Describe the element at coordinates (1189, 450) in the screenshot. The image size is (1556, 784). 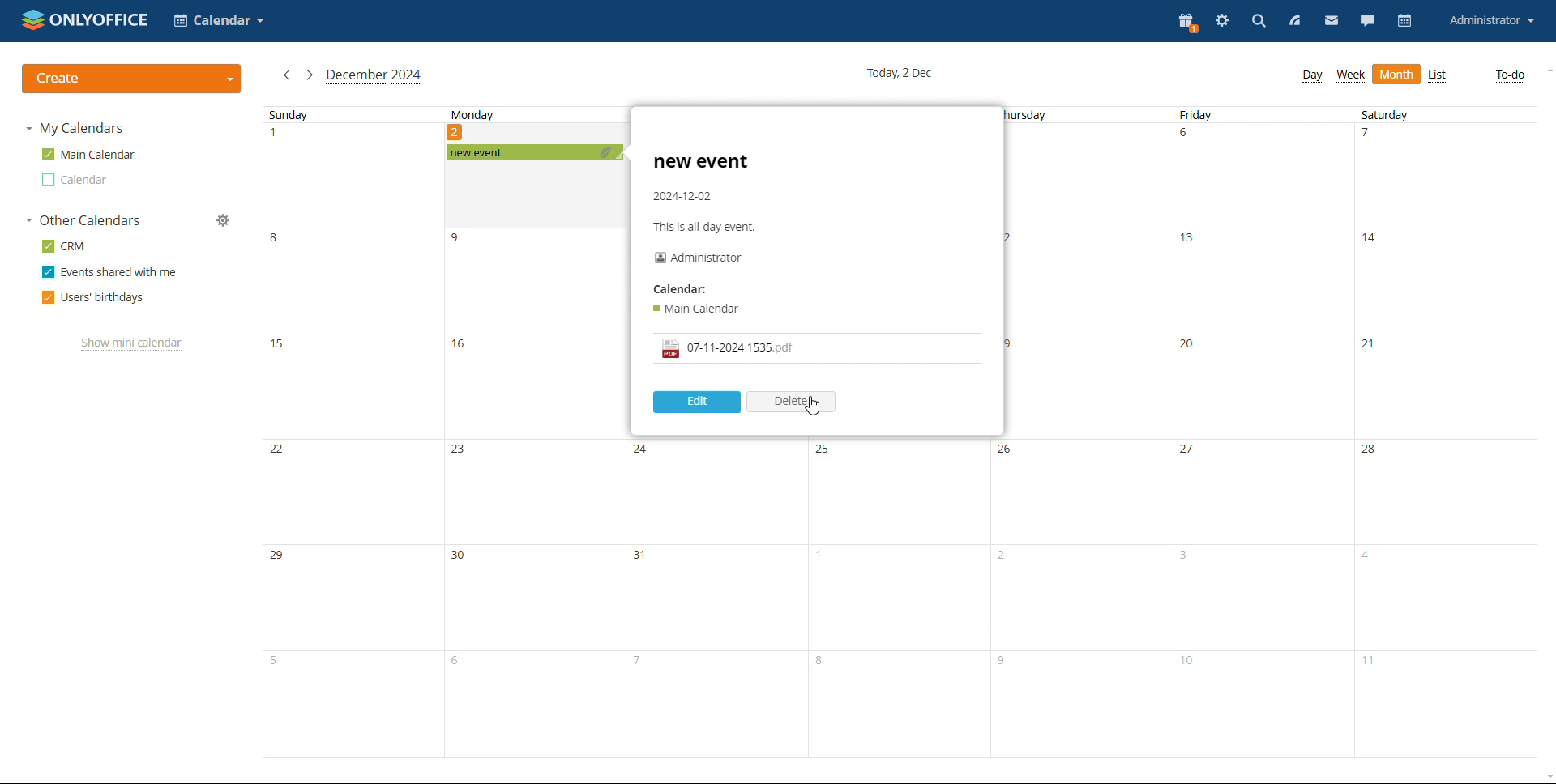
I see `27` at that location.